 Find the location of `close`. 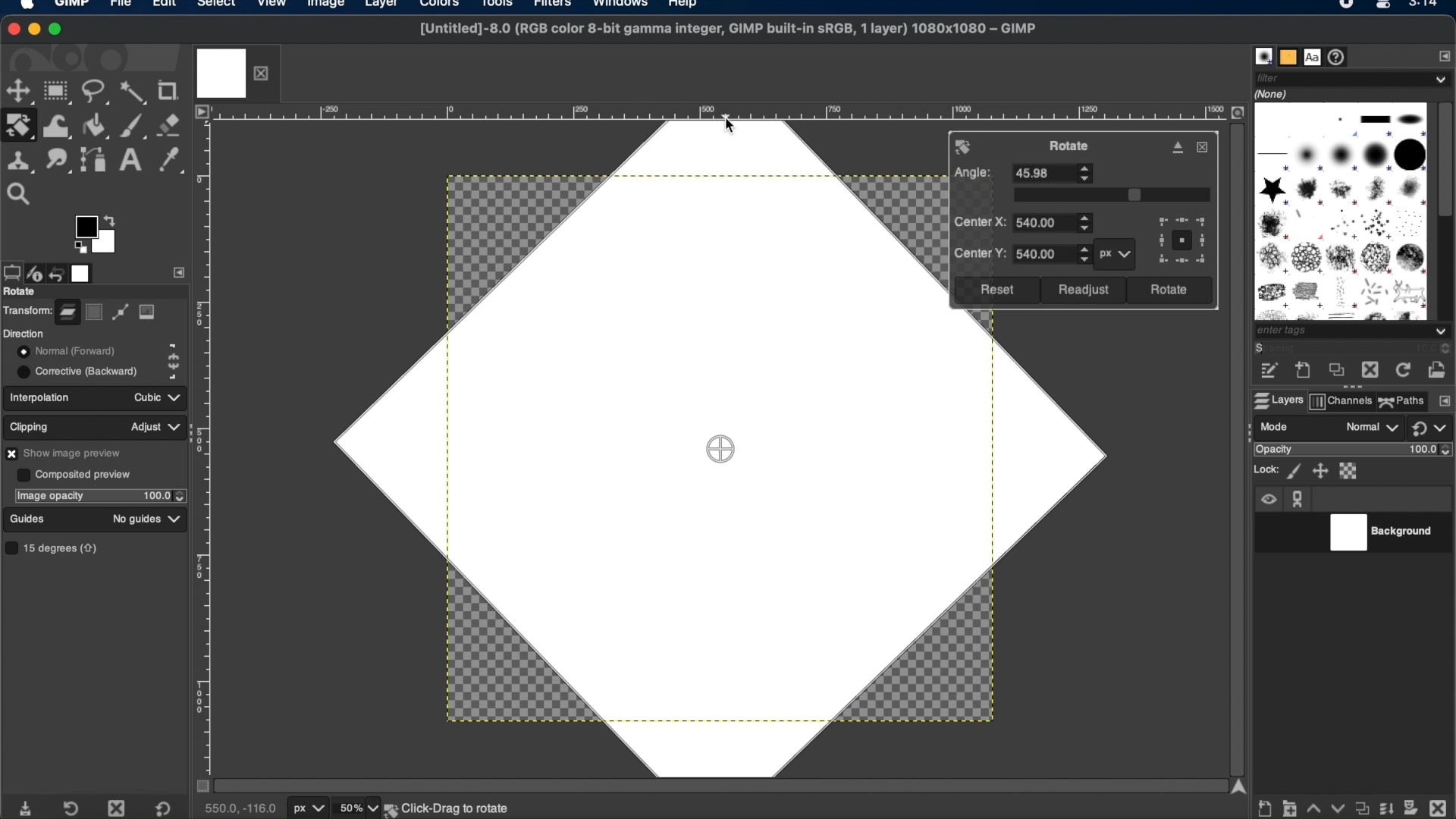

close is located at coordinates (14, 27).